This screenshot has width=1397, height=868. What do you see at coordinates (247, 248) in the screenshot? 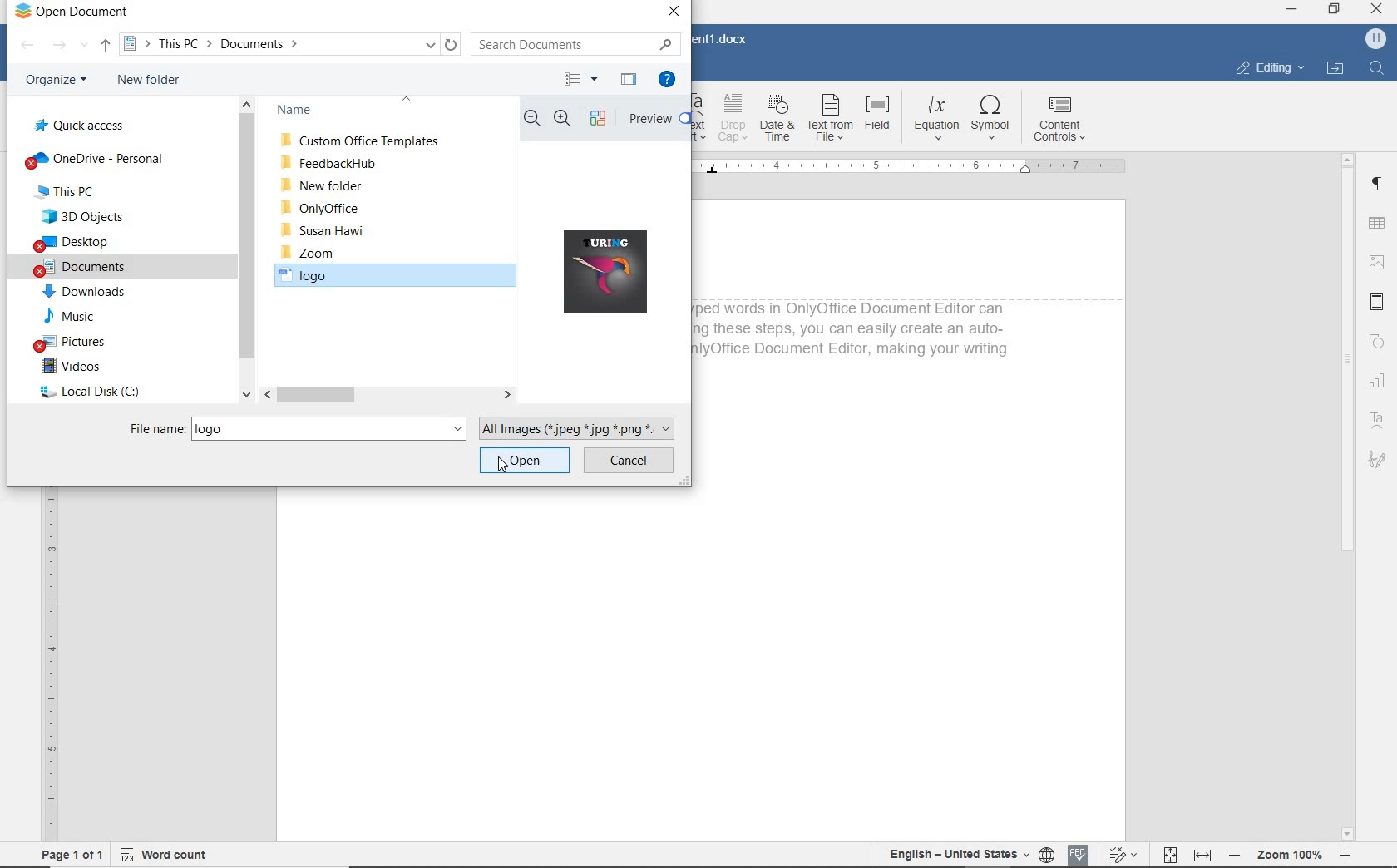
I see `SCROLLBAR` at bounding box center [247, 248].